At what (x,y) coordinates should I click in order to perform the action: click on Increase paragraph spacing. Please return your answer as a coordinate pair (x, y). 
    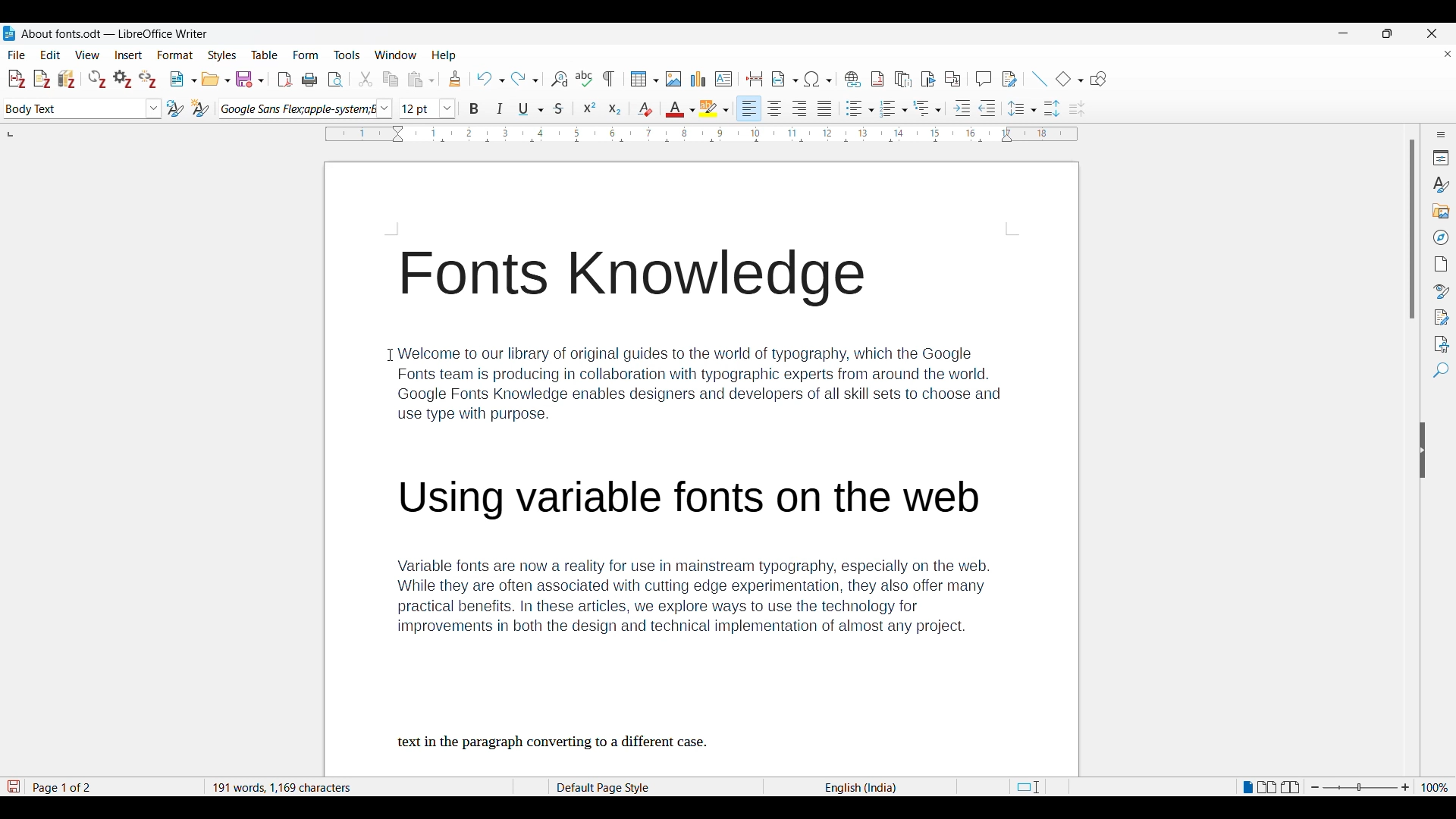
    Looking at the image, I should click on (1052, 108).